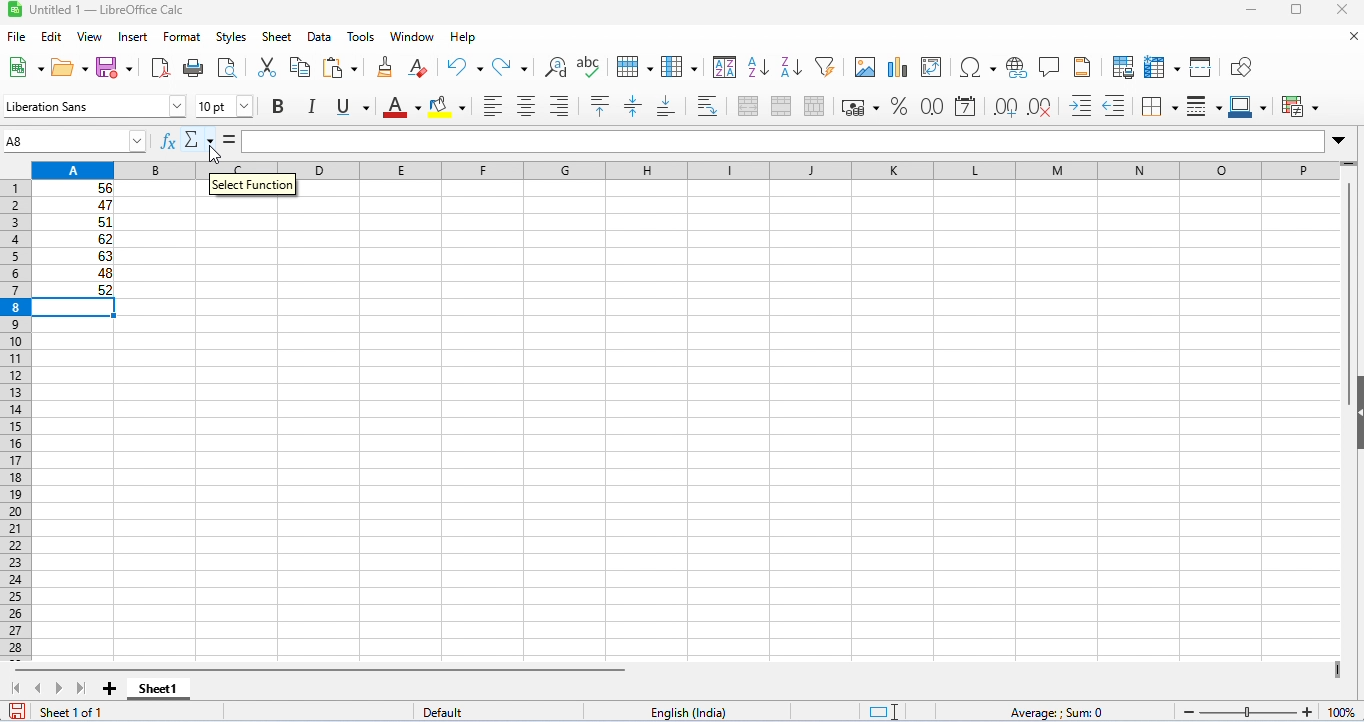 Image resolution: width=1364 pixels, height=722 pixels. I want to click on zoom, so click(1269, 709).